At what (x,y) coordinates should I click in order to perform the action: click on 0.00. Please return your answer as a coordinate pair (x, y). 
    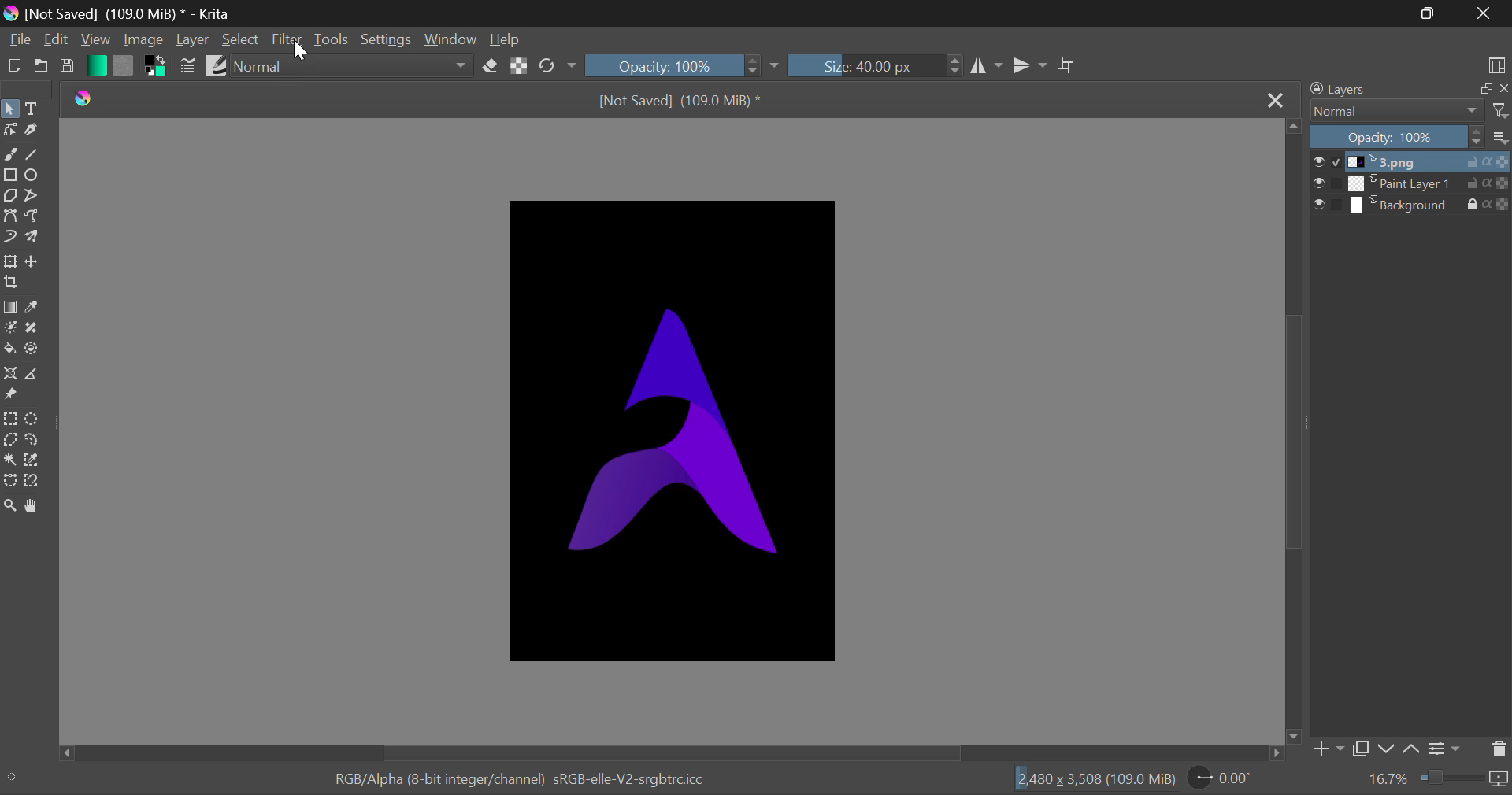
    Looking at the image, I should click on (1223, 780).